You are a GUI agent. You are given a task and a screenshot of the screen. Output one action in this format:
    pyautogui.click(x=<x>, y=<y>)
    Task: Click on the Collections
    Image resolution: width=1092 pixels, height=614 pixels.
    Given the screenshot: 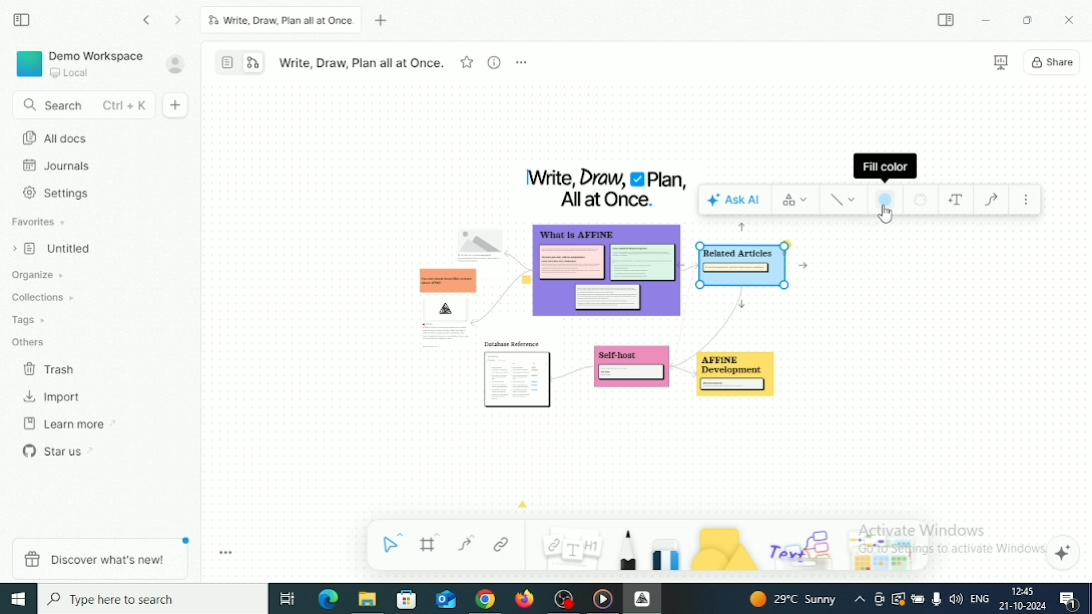 What is the action you would take?
    pyautogui.click(x=44, y=296)
    